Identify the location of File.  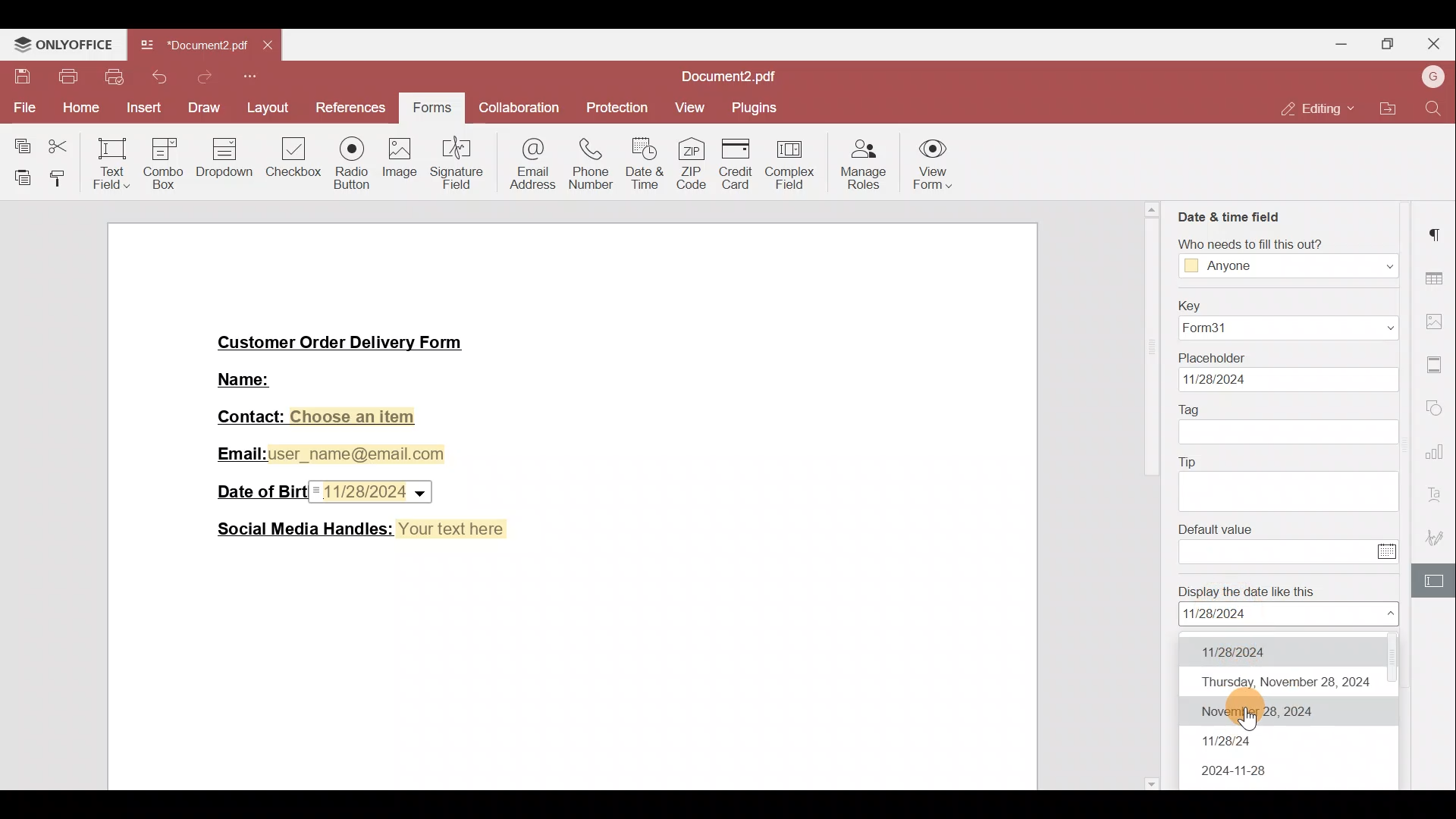
(21, 106).